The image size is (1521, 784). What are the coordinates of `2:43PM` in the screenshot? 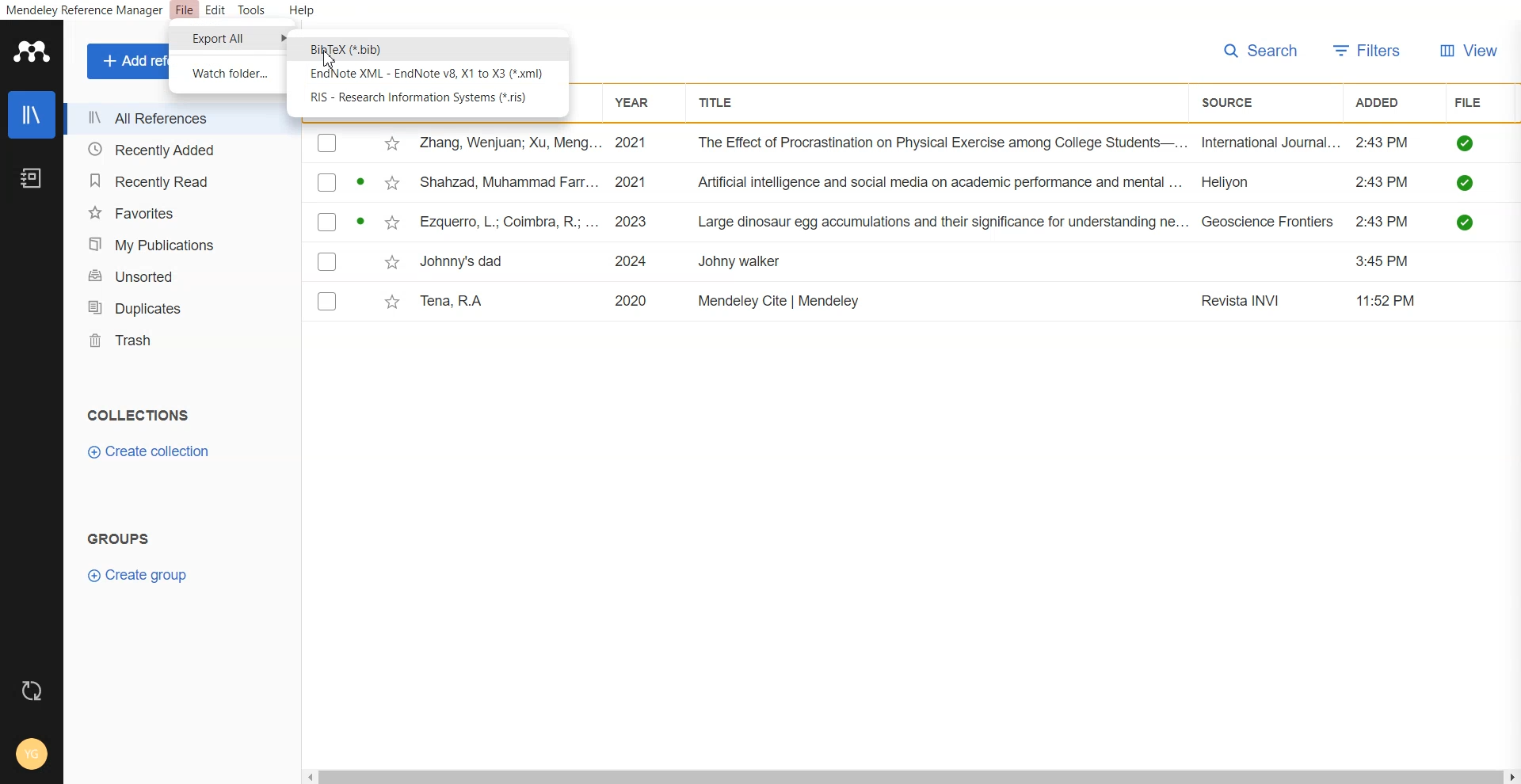 It's located at (1385, 222).